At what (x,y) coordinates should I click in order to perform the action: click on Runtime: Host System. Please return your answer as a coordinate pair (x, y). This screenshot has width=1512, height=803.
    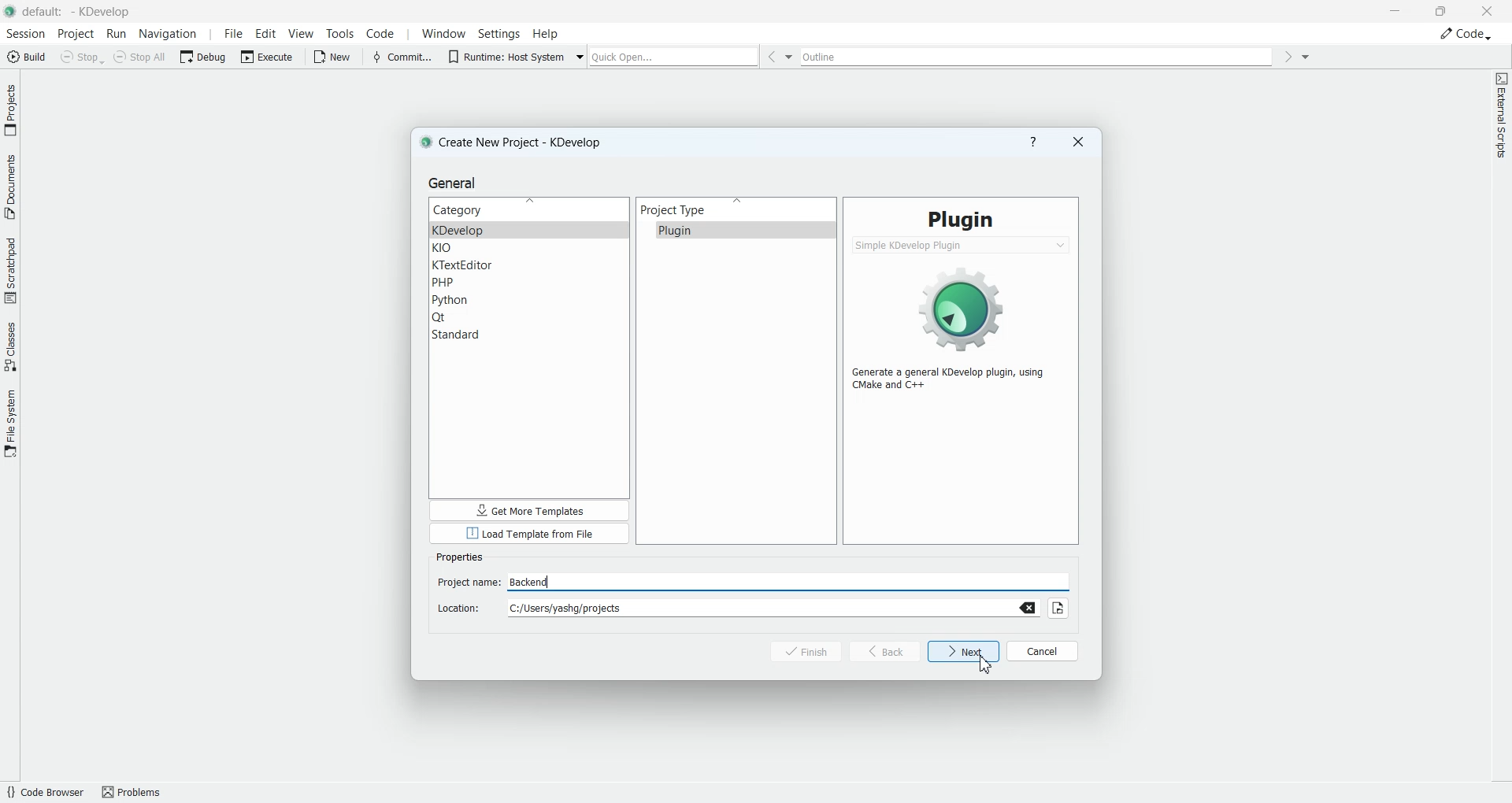
    Looking at the image, I should click on (504, 55).